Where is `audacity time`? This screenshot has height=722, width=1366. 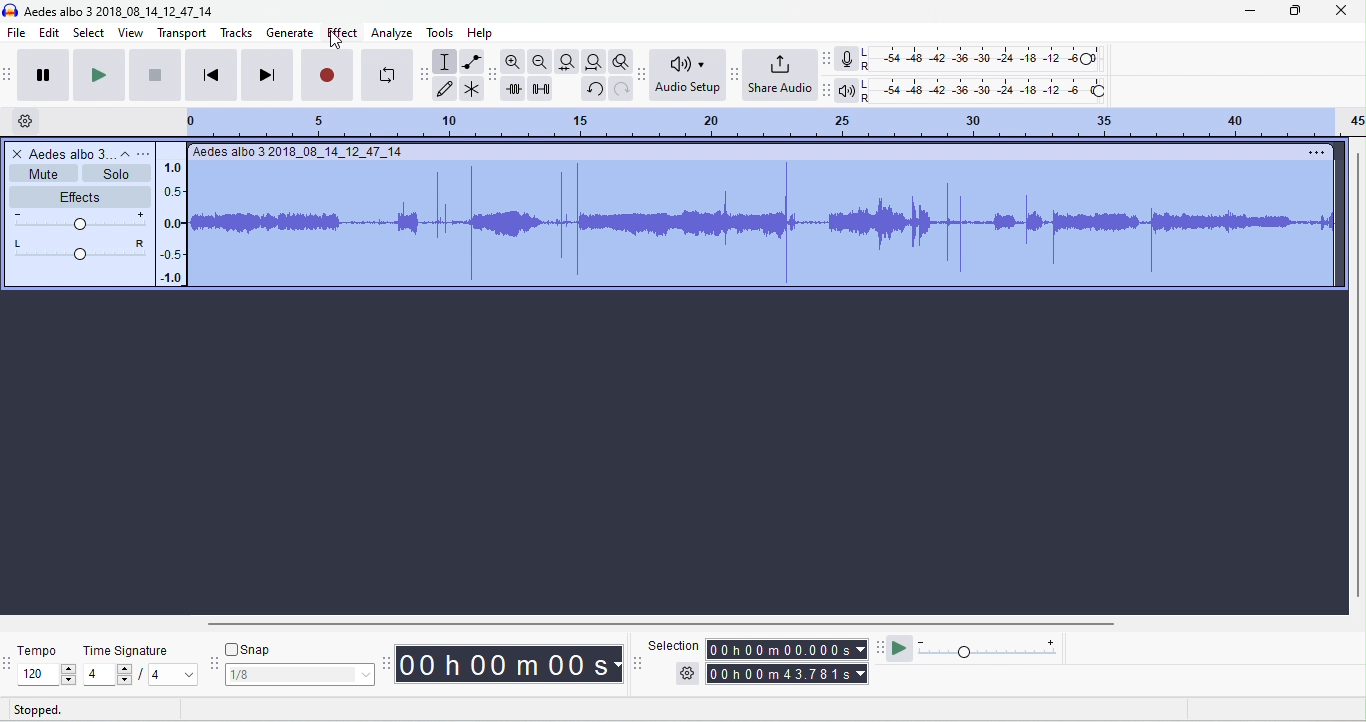 audacity time is located at coordinates (510, 665).